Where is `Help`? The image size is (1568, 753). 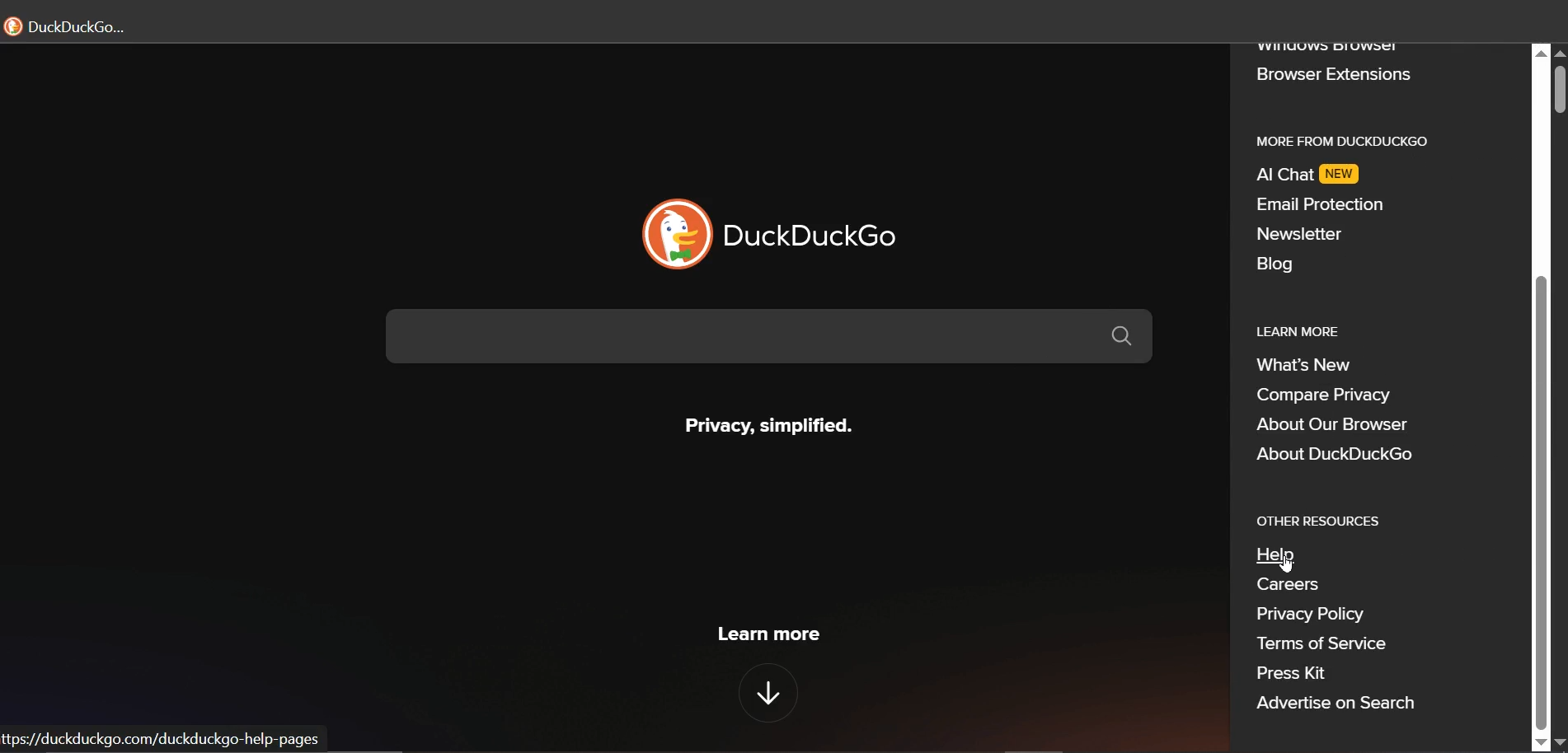
Help is located at coordinates (1284, 554).